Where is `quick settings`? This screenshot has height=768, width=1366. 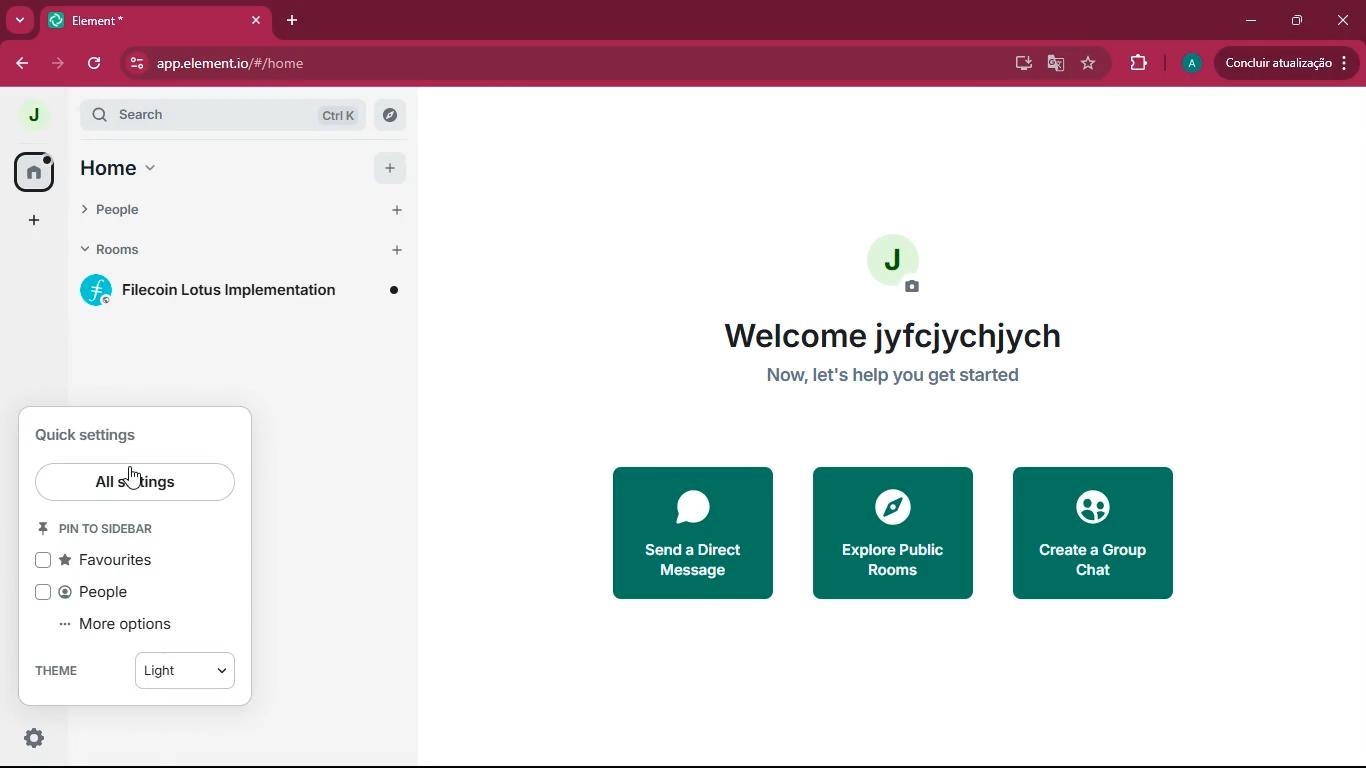
quick settings is located at coordinates (102, 436).